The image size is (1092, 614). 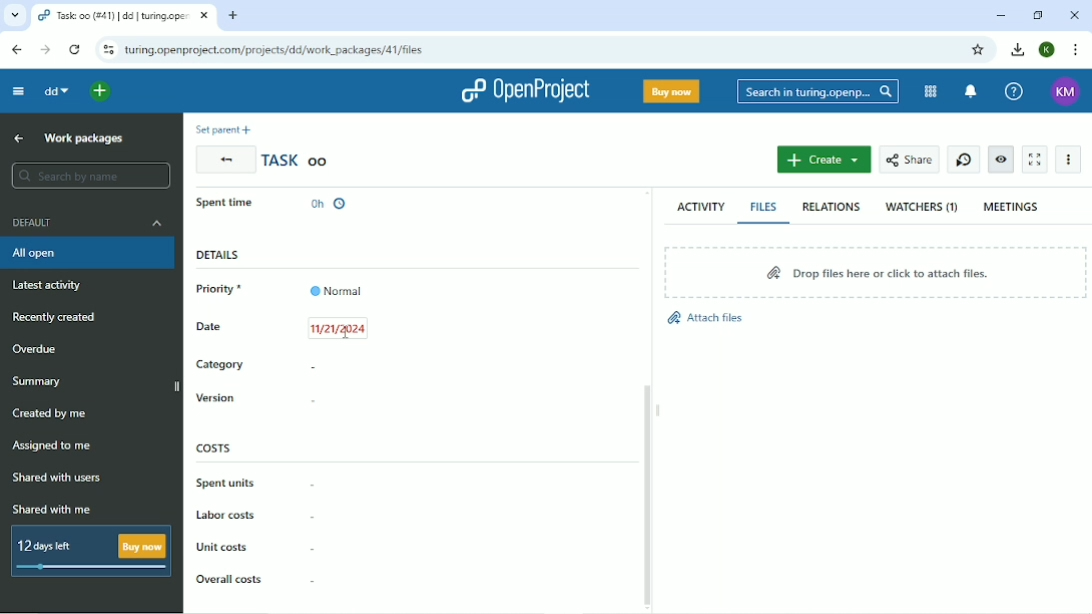 I want to click on View site information, so click(x=107, y=50).